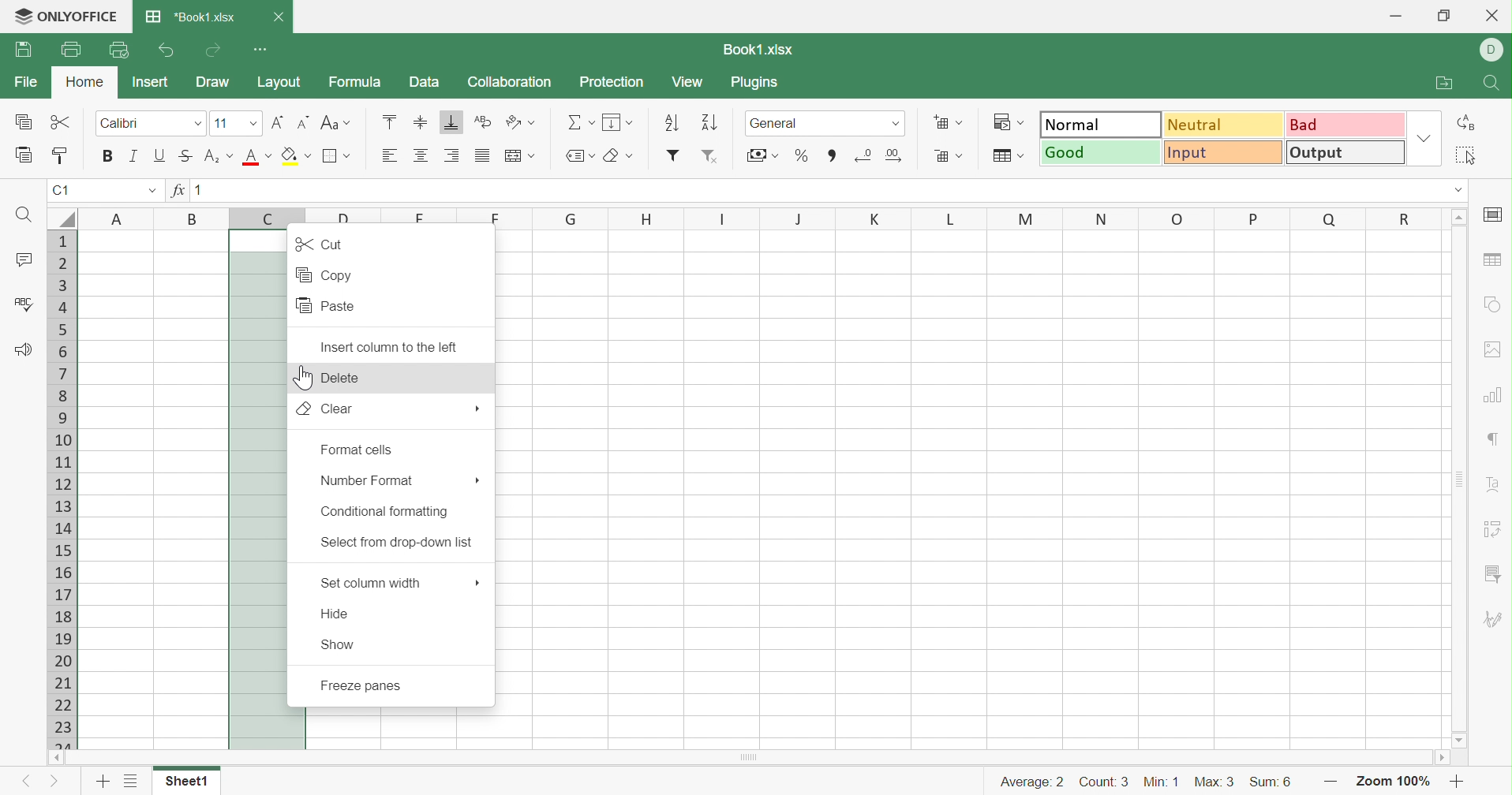  Describe the element at coordinates (1001, 121) in the screenshot. I see `Conditional formatting` at that location.